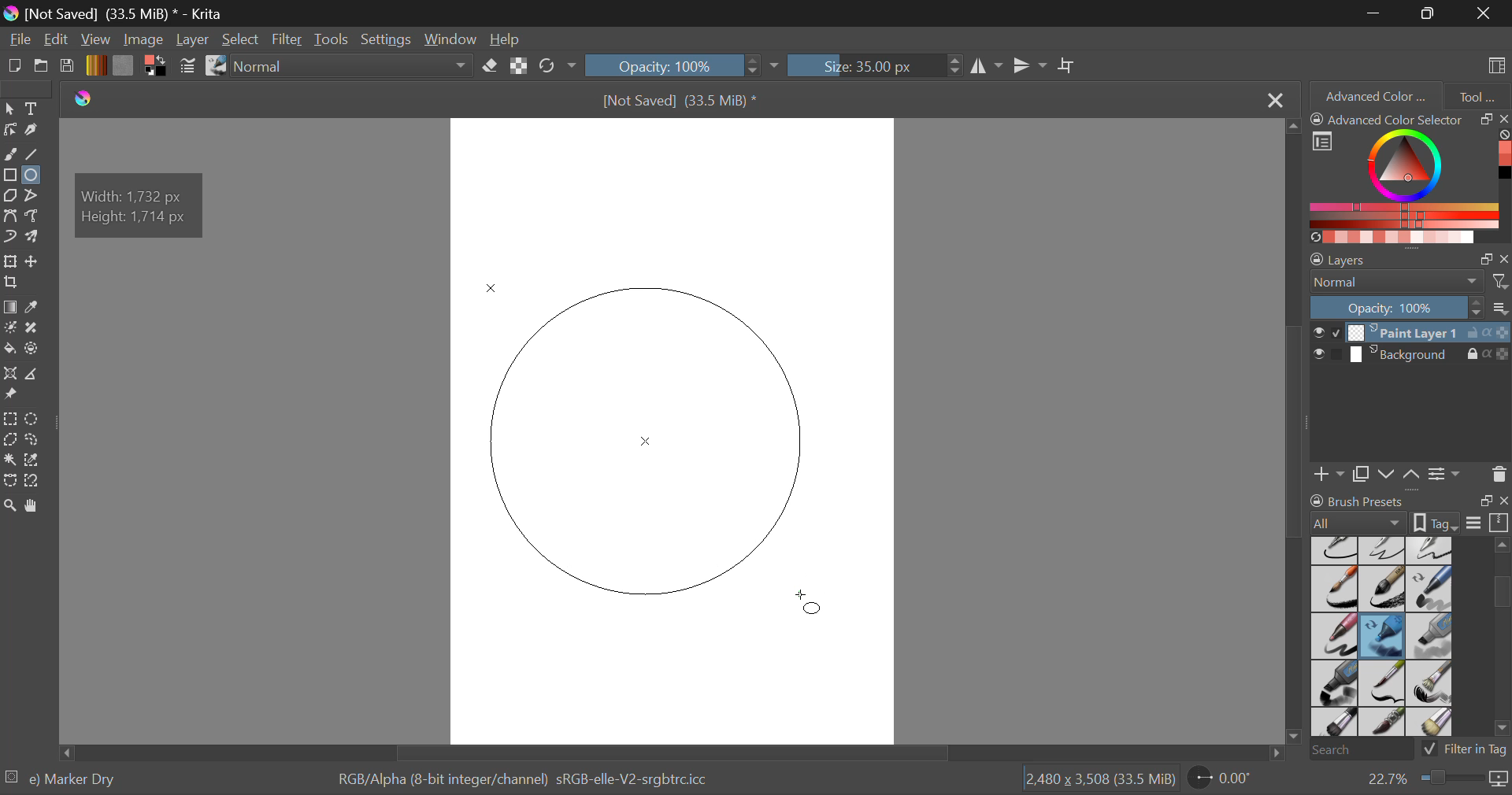 This screenshot has height=795, width=1512. Describe the element at coordinates (1411, 331) in the screenshot. I see `Paint Layer 1` at that location.